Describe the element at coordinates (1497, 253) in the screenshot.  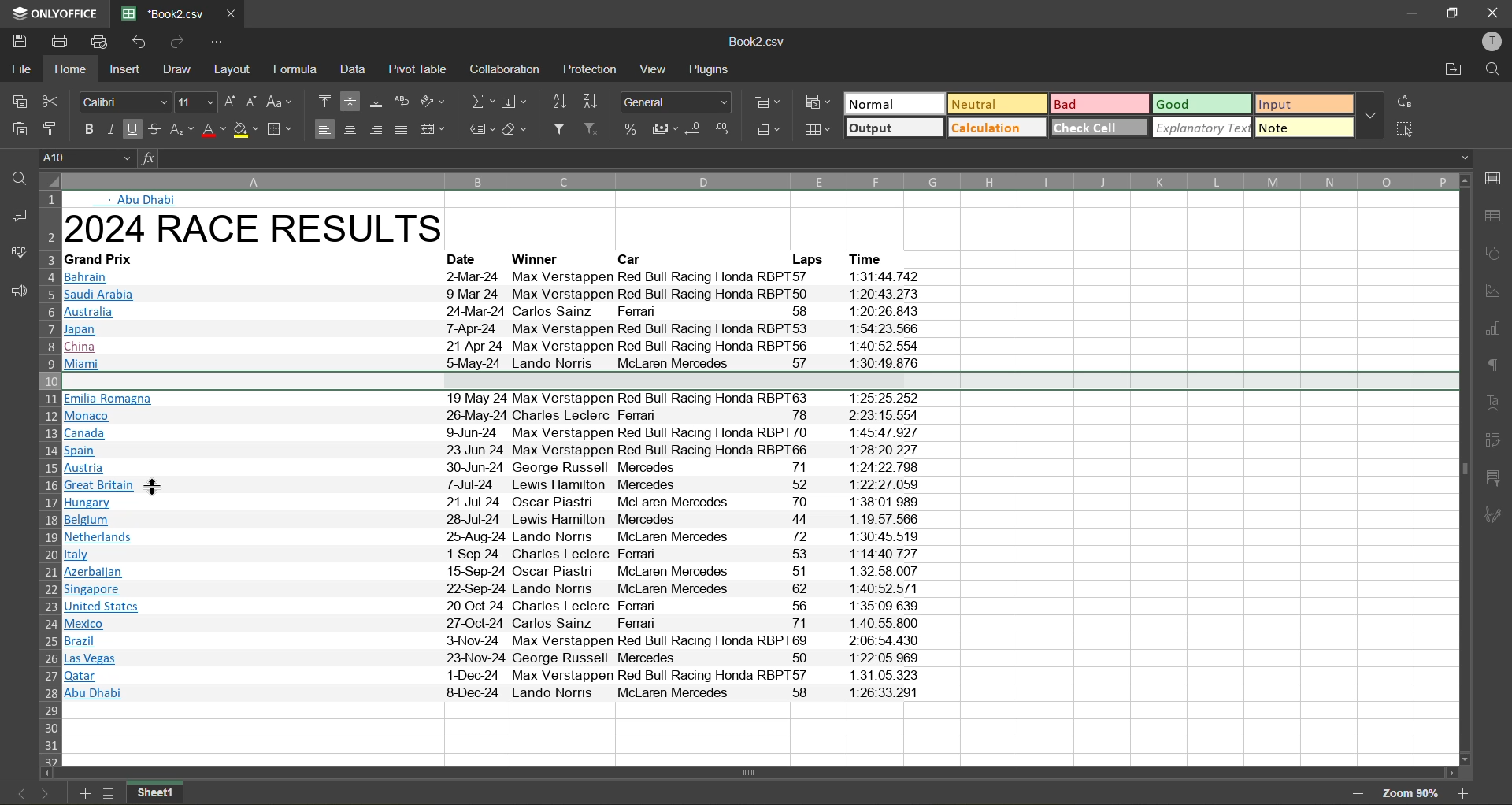
I see `shapes` at that location.